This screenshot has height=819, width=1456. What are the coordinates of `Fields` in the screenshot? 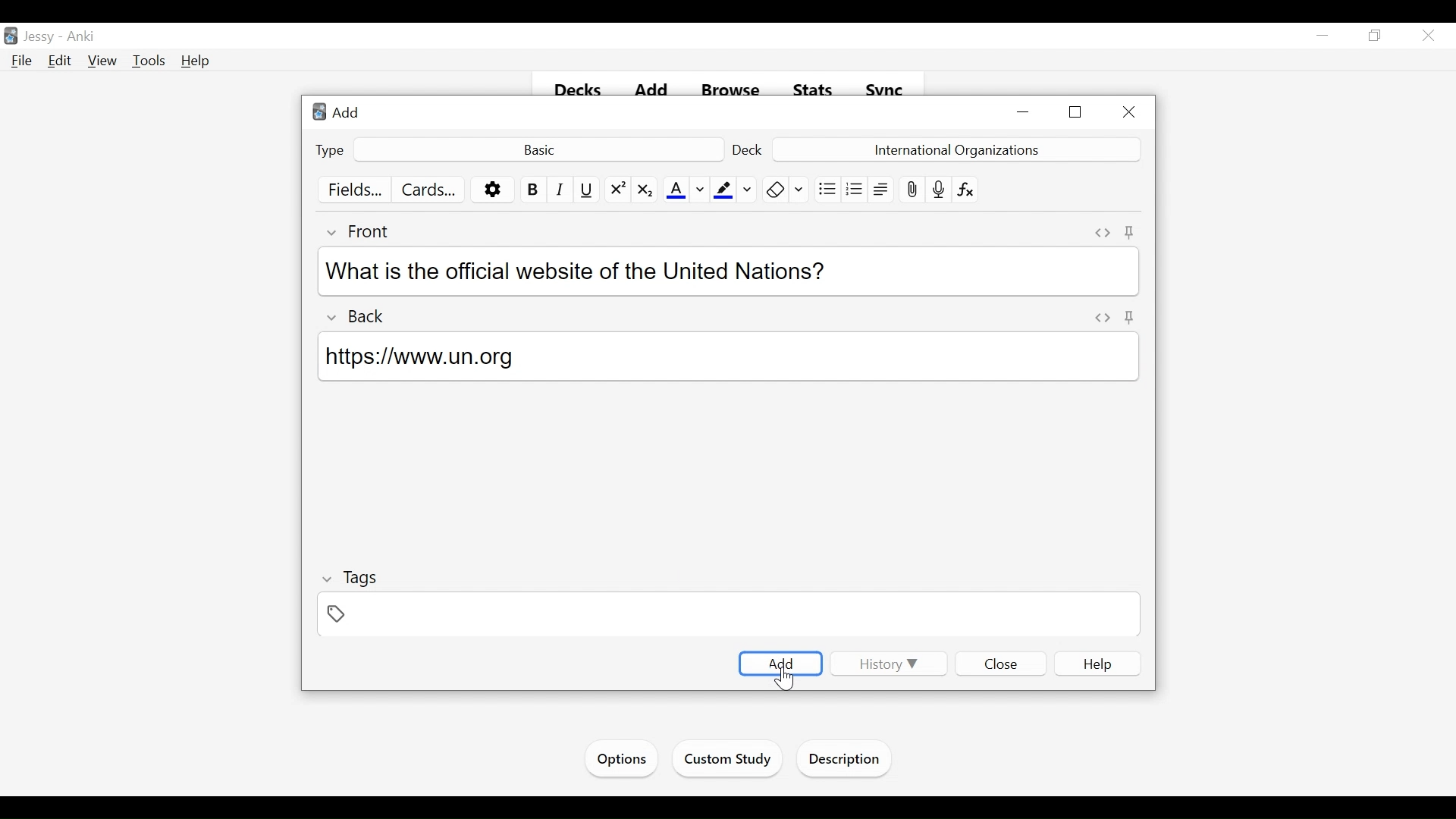 It's located at (349, 189).